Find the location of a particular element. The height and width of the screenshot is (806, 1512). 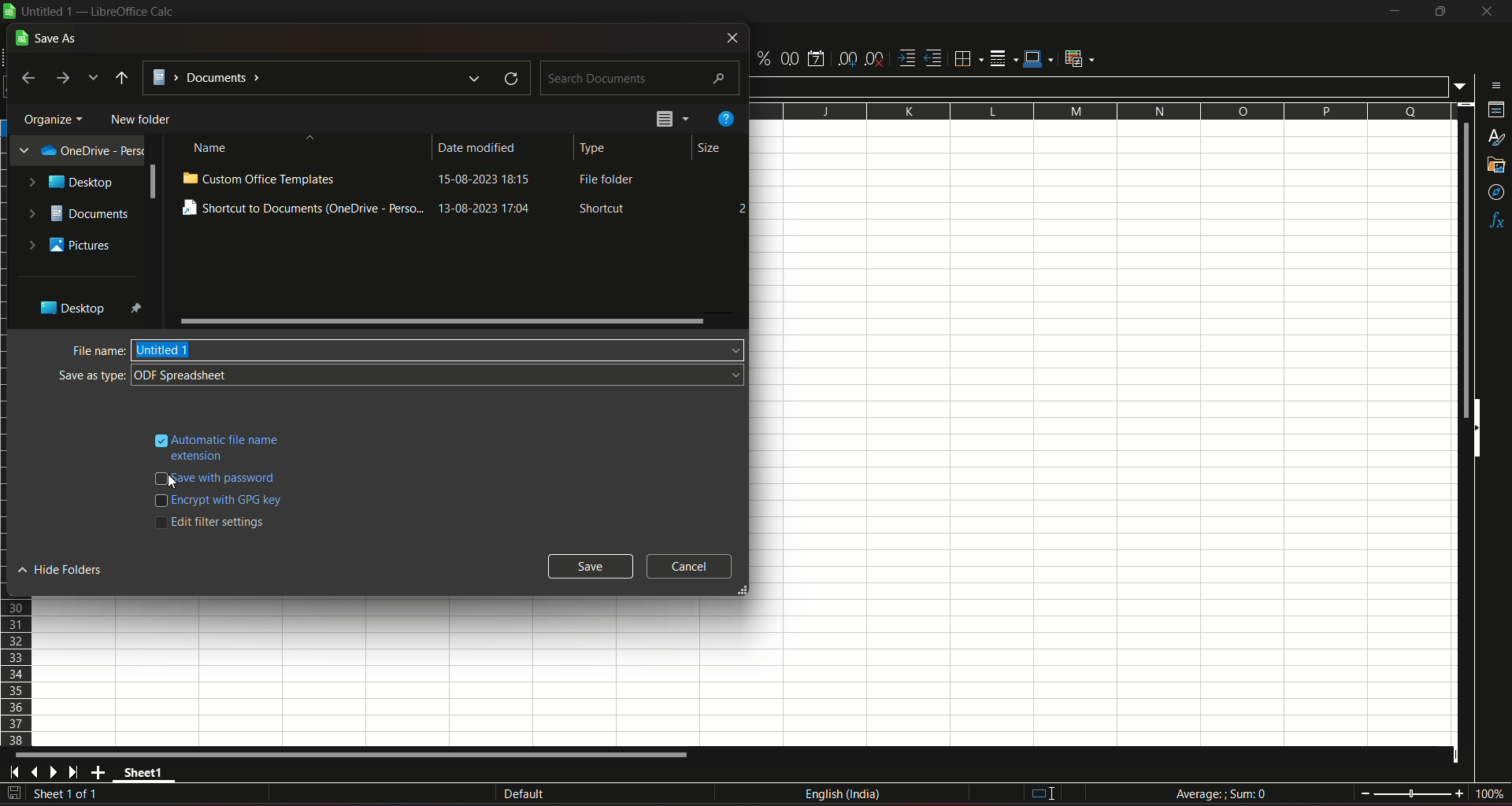

scrollbar is located at coordinates (441, 320).